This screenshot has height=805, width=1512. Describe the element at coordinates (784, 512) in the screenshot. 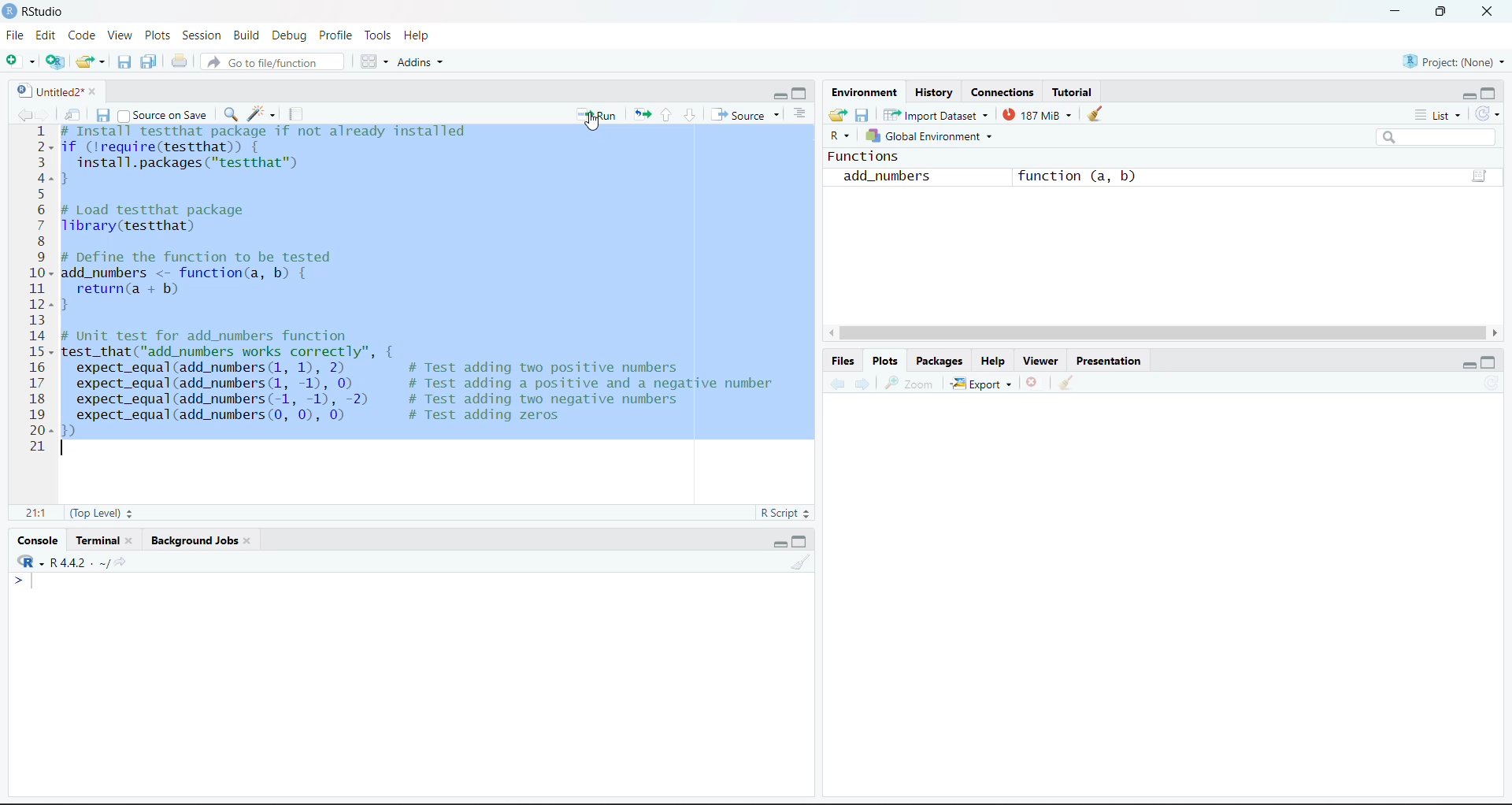

I see `R Script` at that location.